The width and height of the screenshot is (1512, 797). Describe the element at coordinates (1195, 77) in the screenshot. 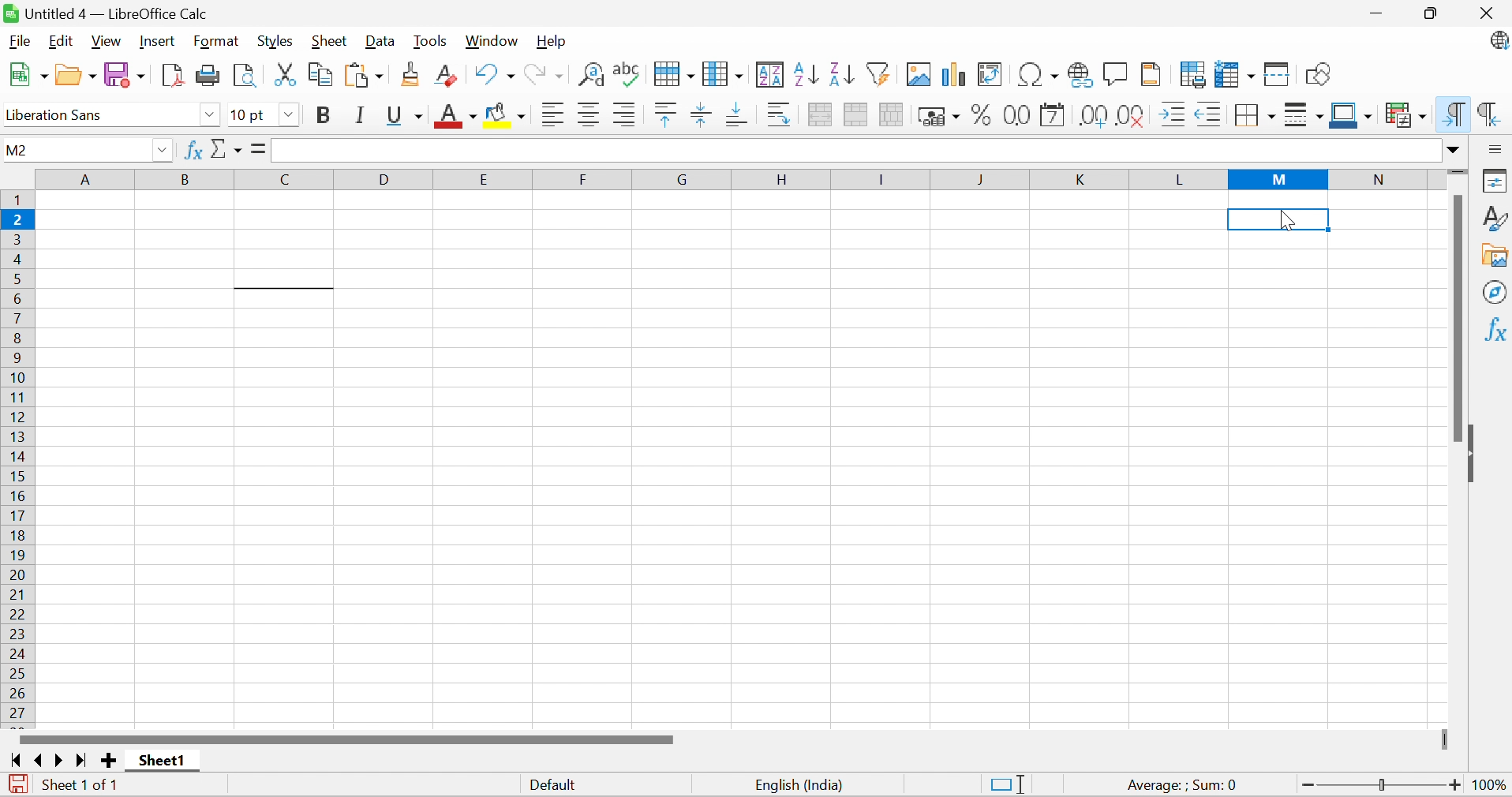

I see `Define print area` at that location.